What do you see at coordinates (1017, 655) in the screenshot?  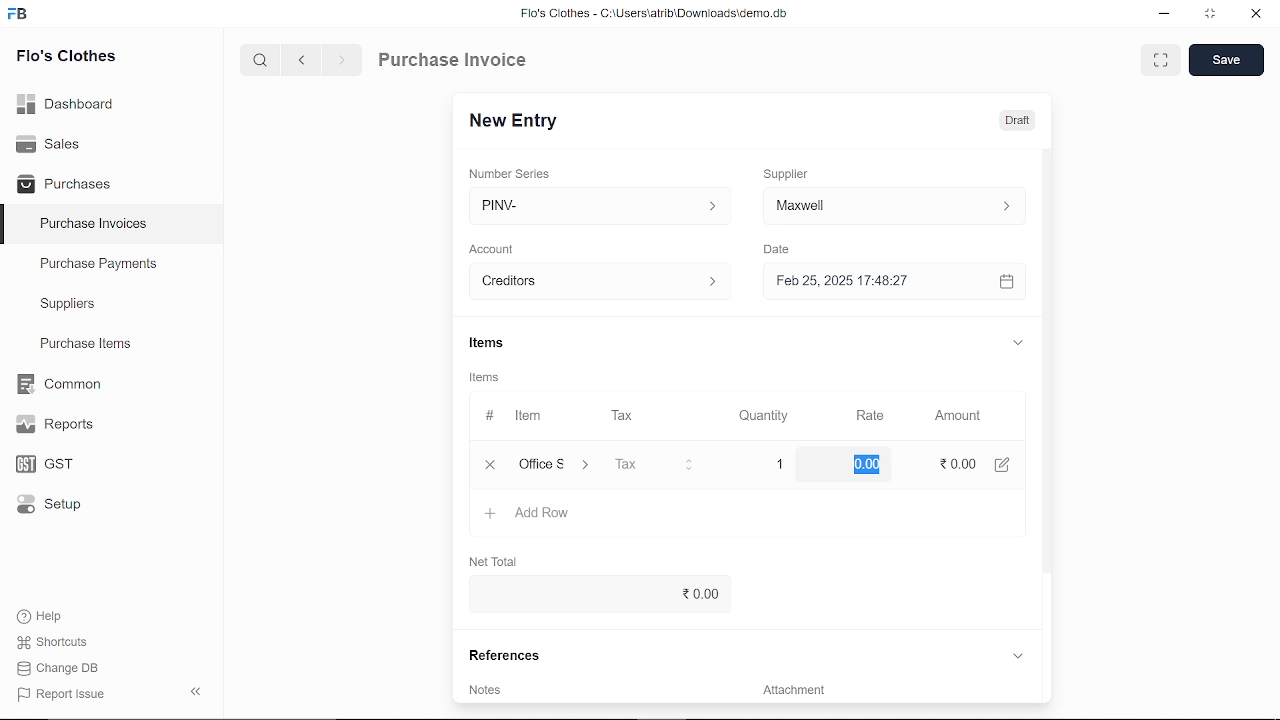 I see `expand` at bounding box center [1017, 655].